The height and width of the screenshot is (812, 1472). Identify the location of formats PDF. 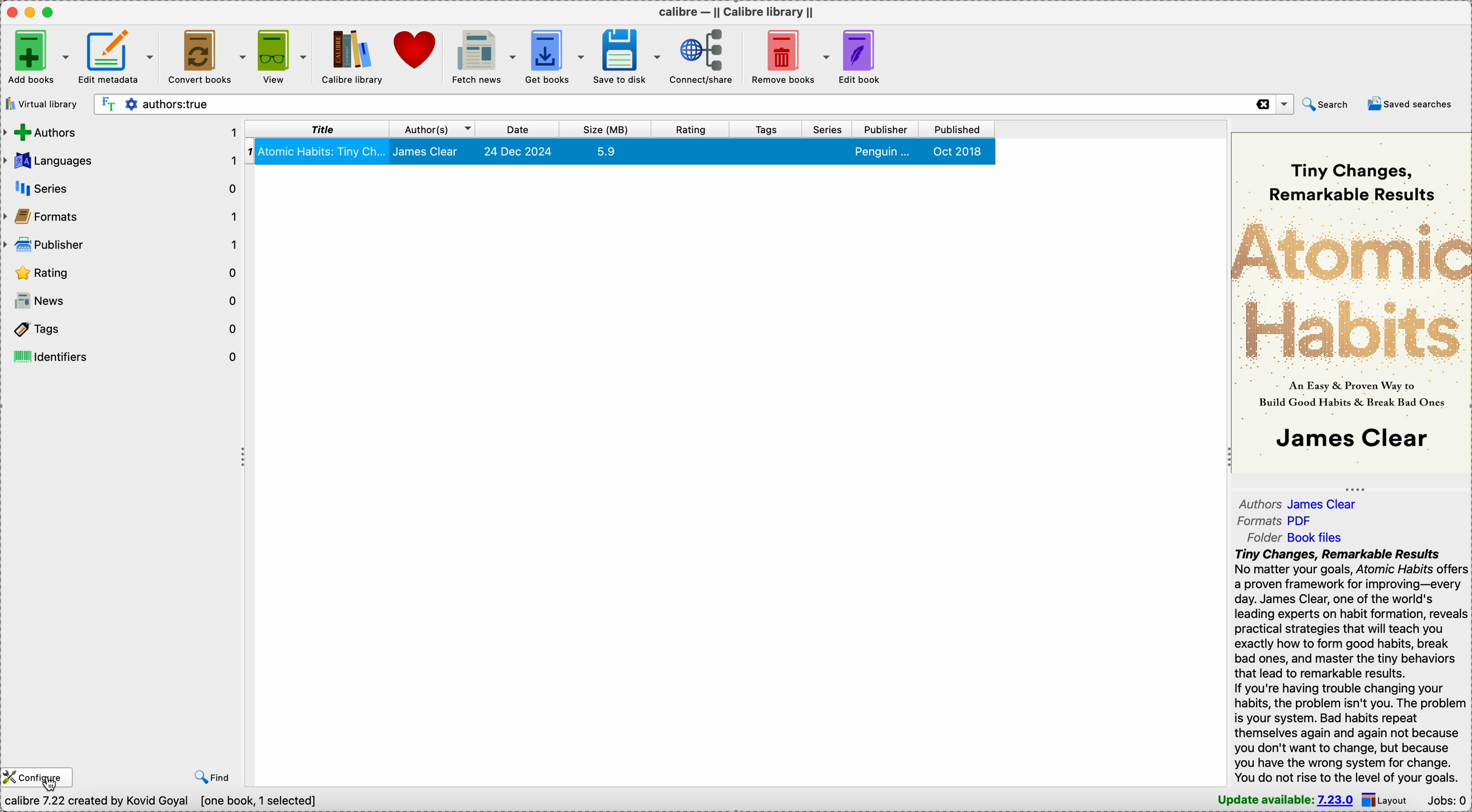
(1277, 522).